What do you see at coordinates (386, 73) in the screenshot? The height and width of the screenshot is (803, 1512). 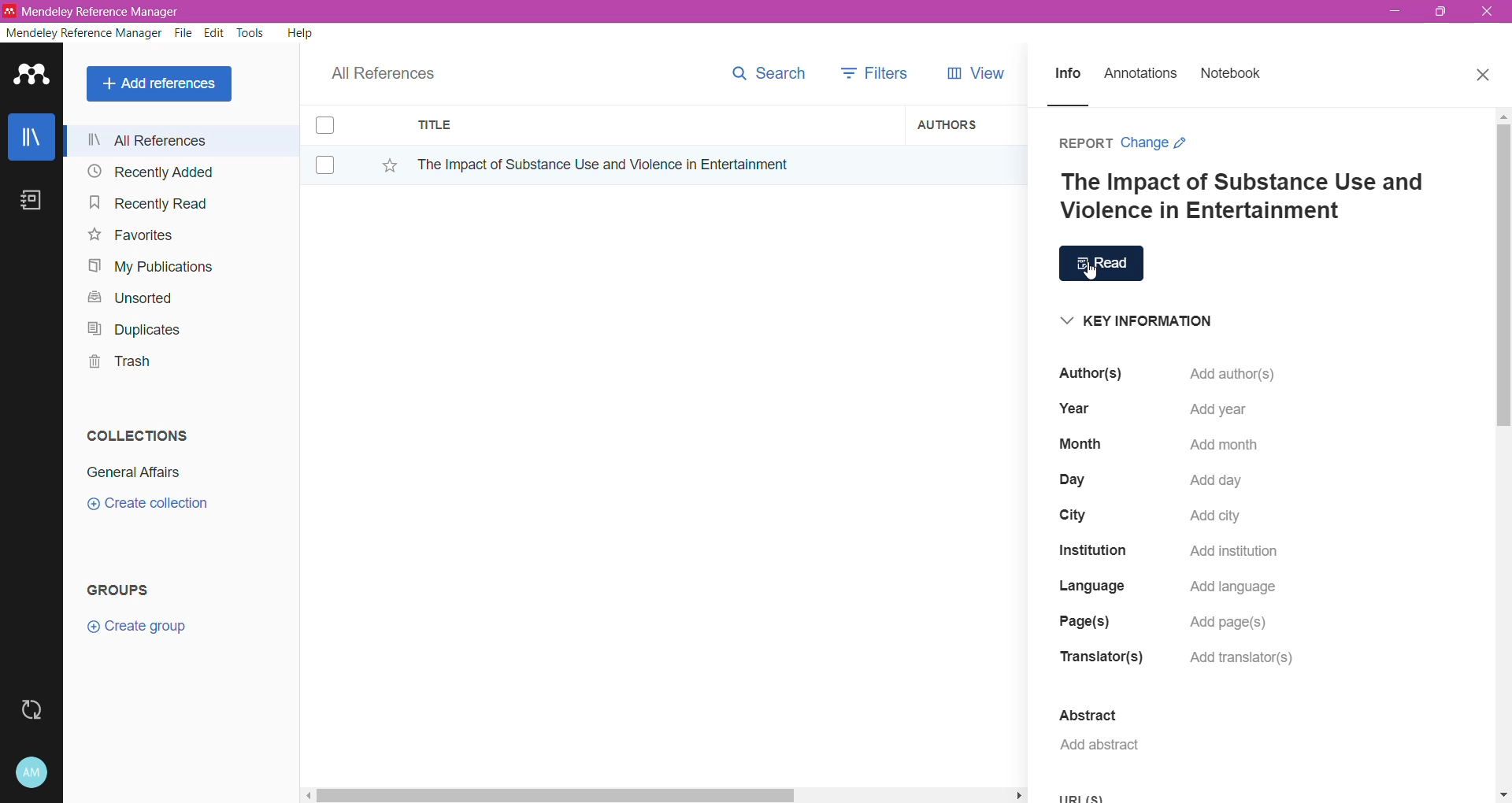 I see `All References` at bounding box center [386, 73].